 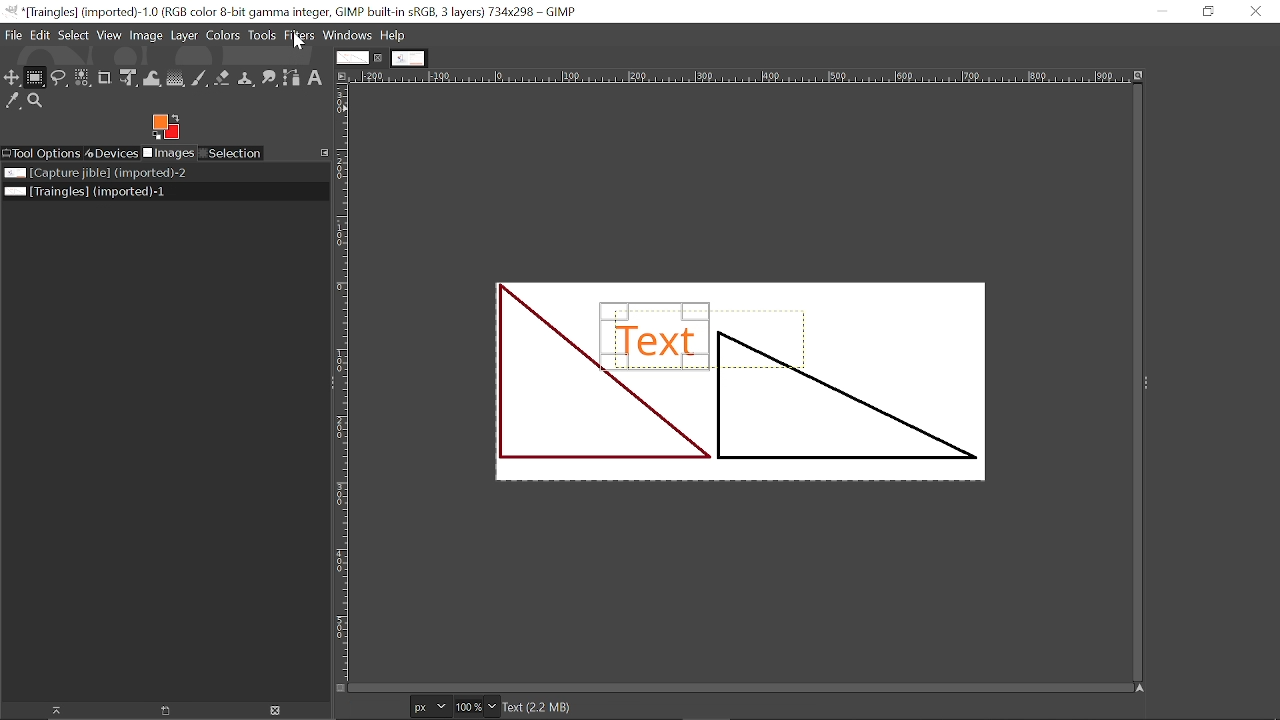 What do you see at coordinates (351, 58) in the screenshot?
I see `Current tab` at bounding box center [351, 58].